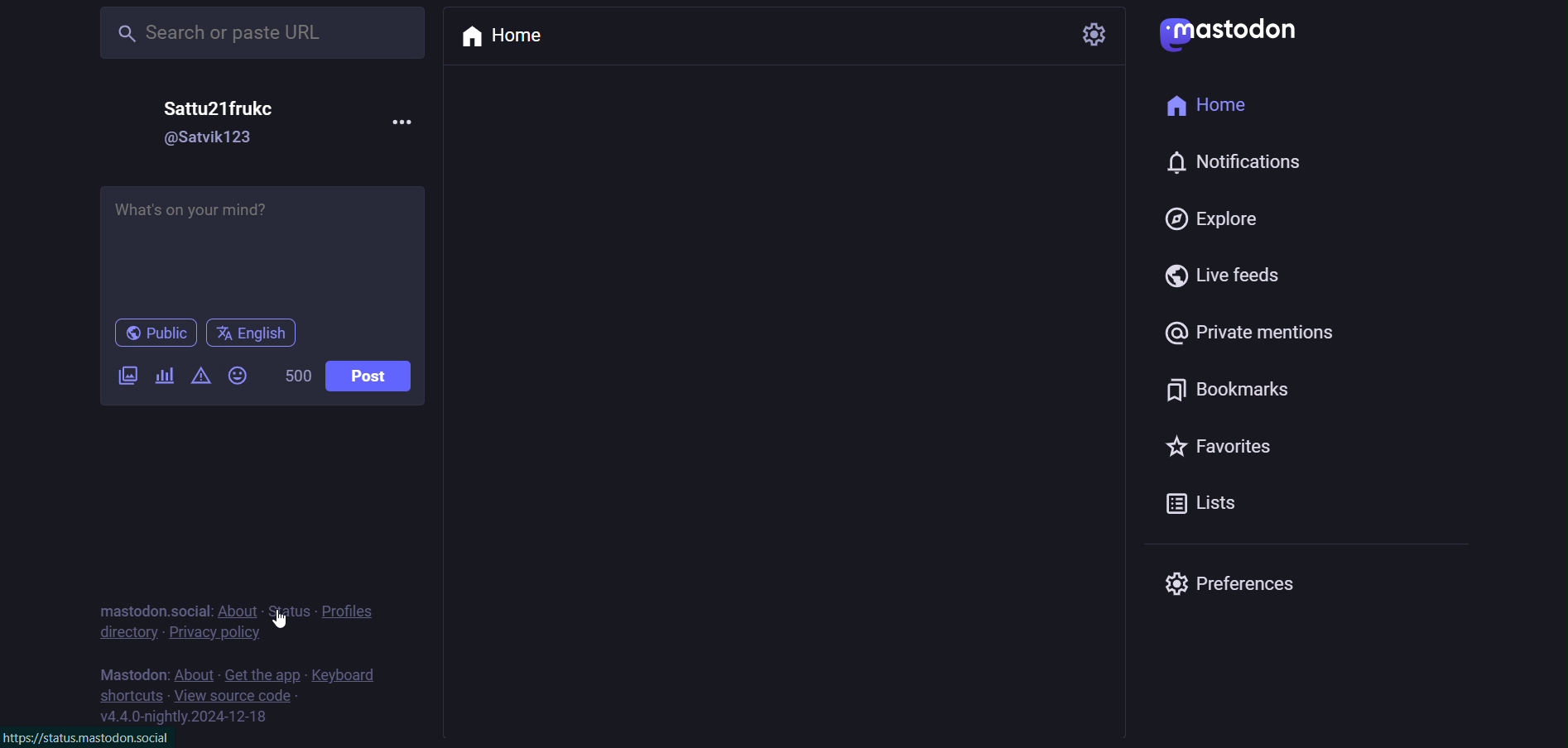 The width and height of the screenshot is (1568, 748). What do you see at coordinates (262, 244) in the screenshot?
I see `post here` at bounding box center [262, 244].